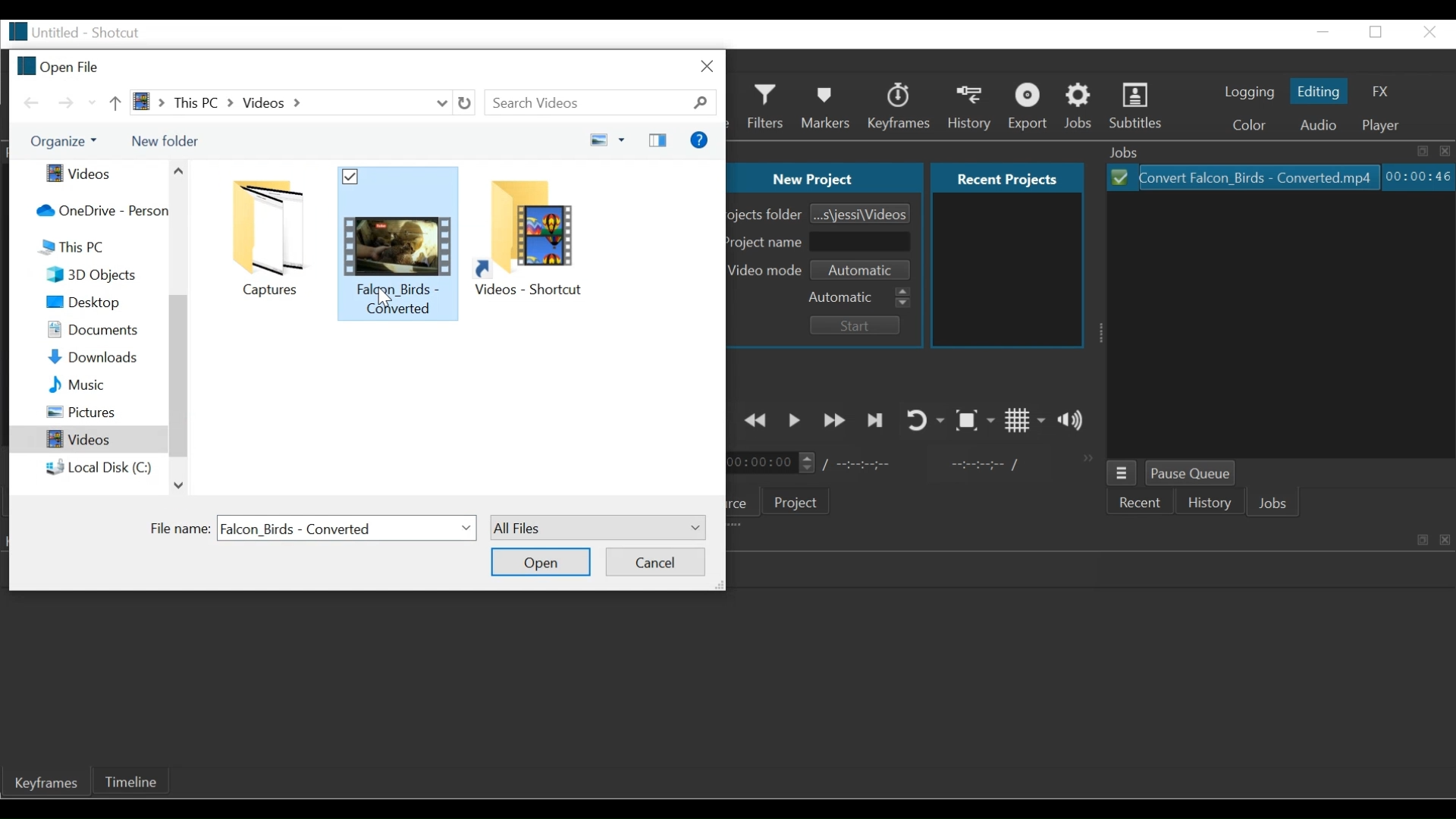  Describe the element at coordinates (98, 411) in the screenshot. I see `Pictures` at that location.